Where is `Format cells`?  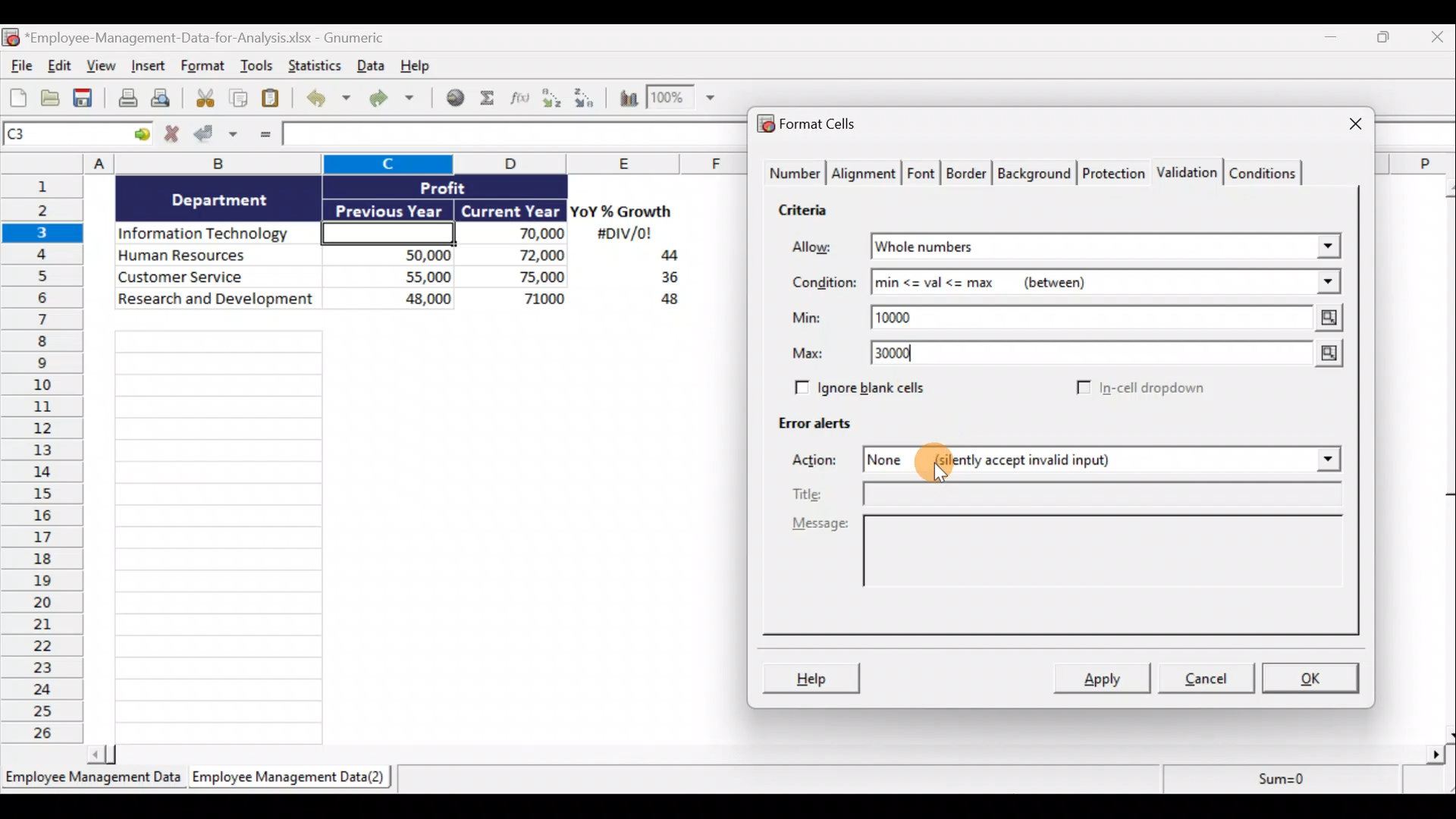 Format cells is located at coordinates (811, 126).